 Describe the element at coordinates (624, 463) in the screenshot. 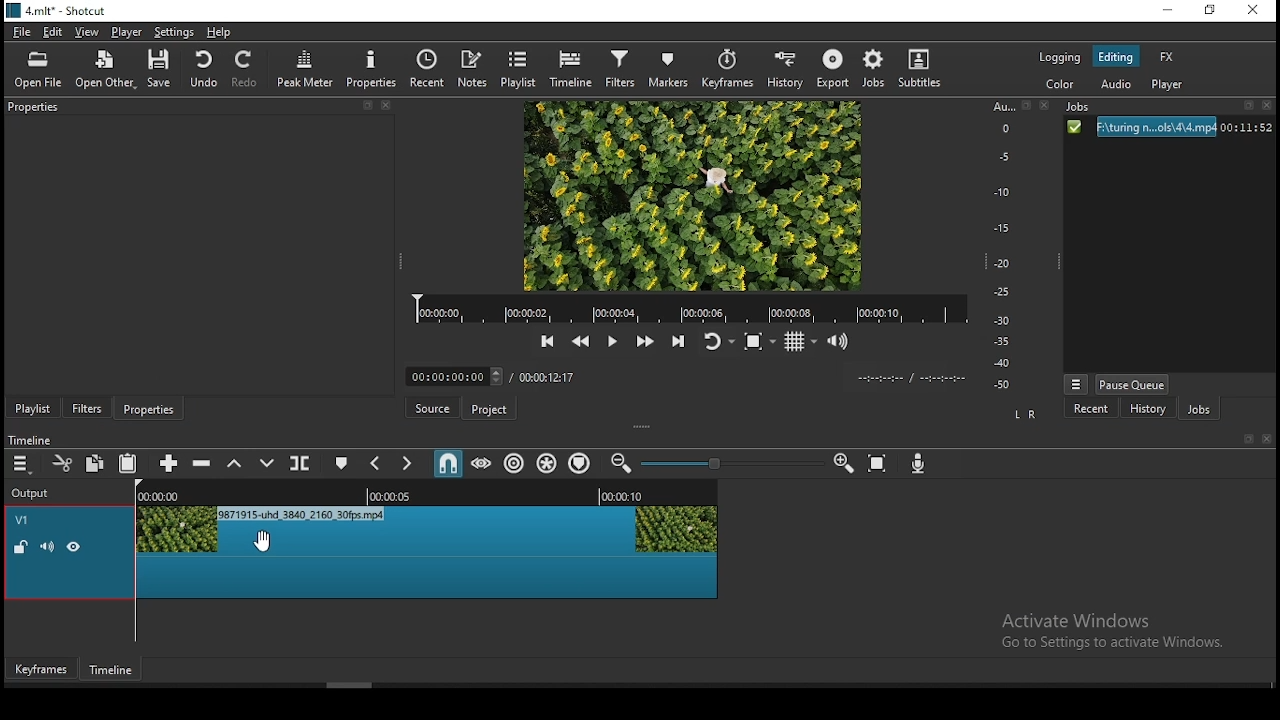

I see `zoom timeline out` at that location.